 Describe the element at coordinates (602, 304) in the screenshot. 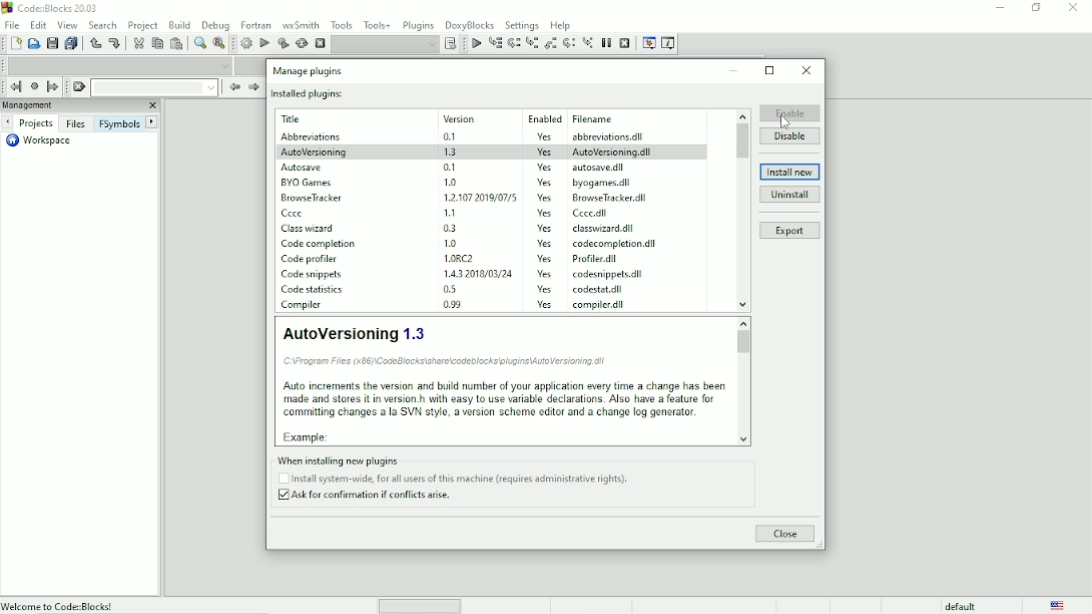

I see `file` at that location.